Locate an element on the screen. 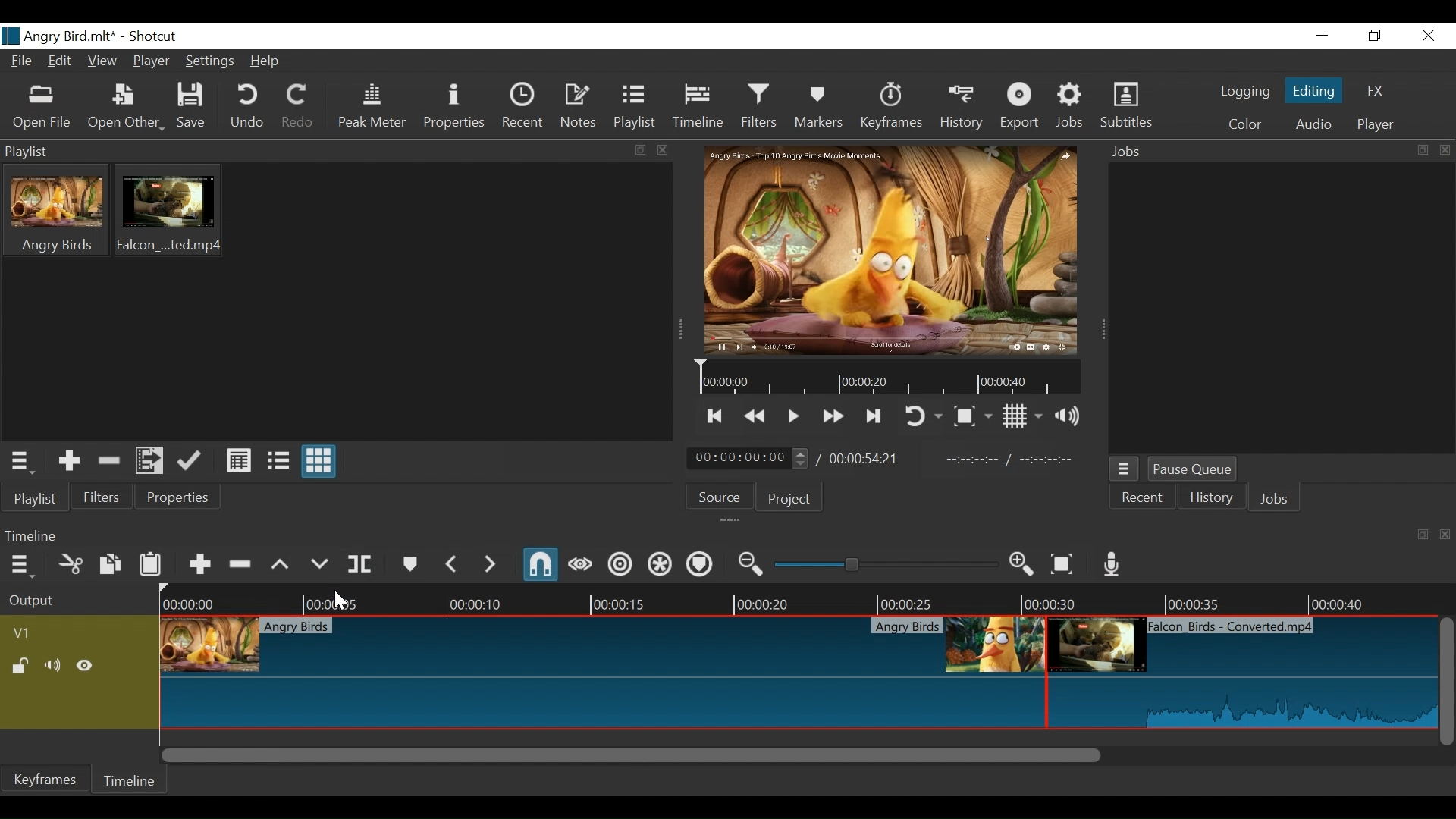  Zoom timeline out is located at coordinates (750, 564).